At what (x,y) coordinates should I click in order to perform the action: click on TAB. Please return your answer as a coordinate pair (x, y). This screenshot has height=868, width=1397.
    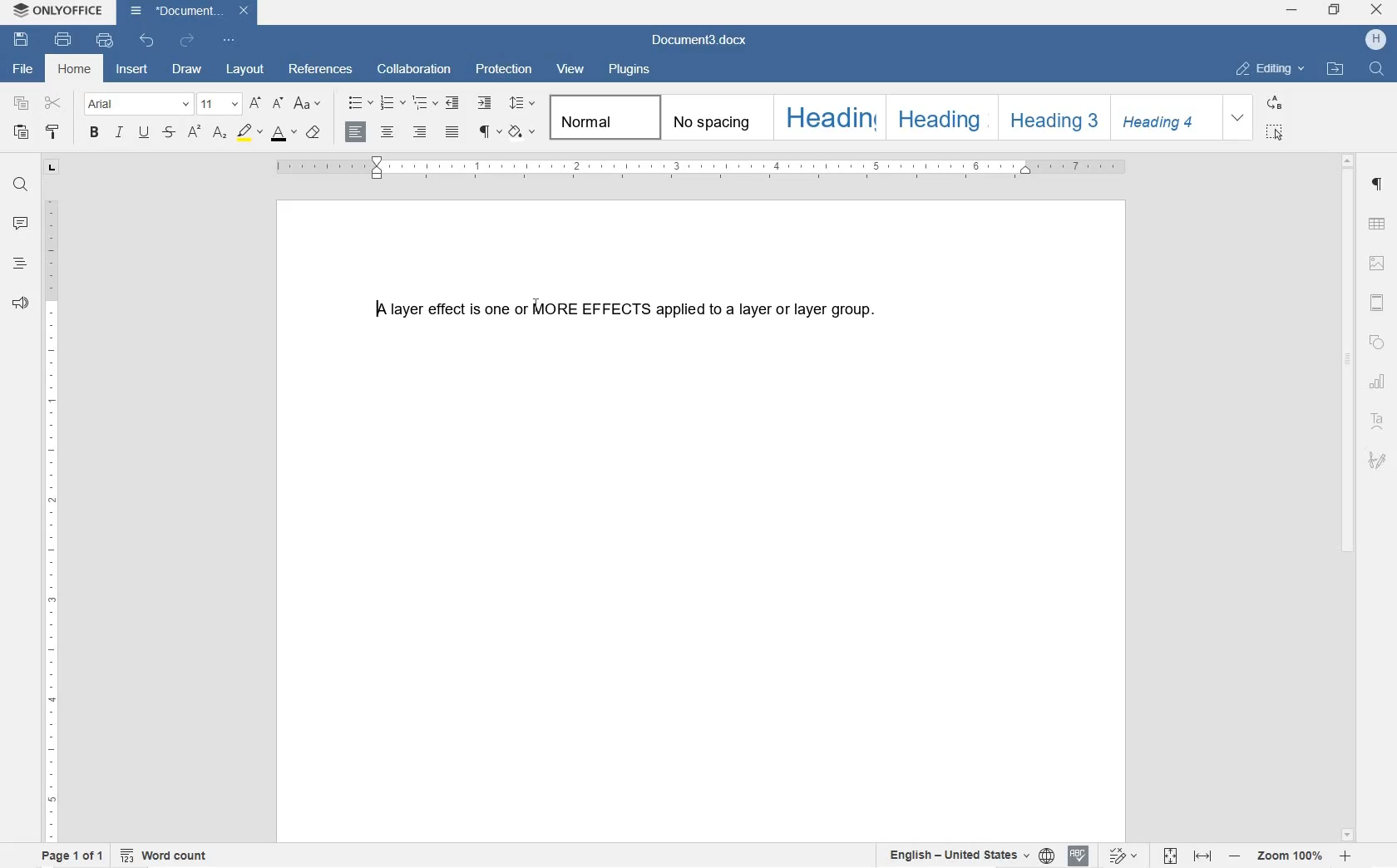
    Looking at the image, I should click on (51, 167).